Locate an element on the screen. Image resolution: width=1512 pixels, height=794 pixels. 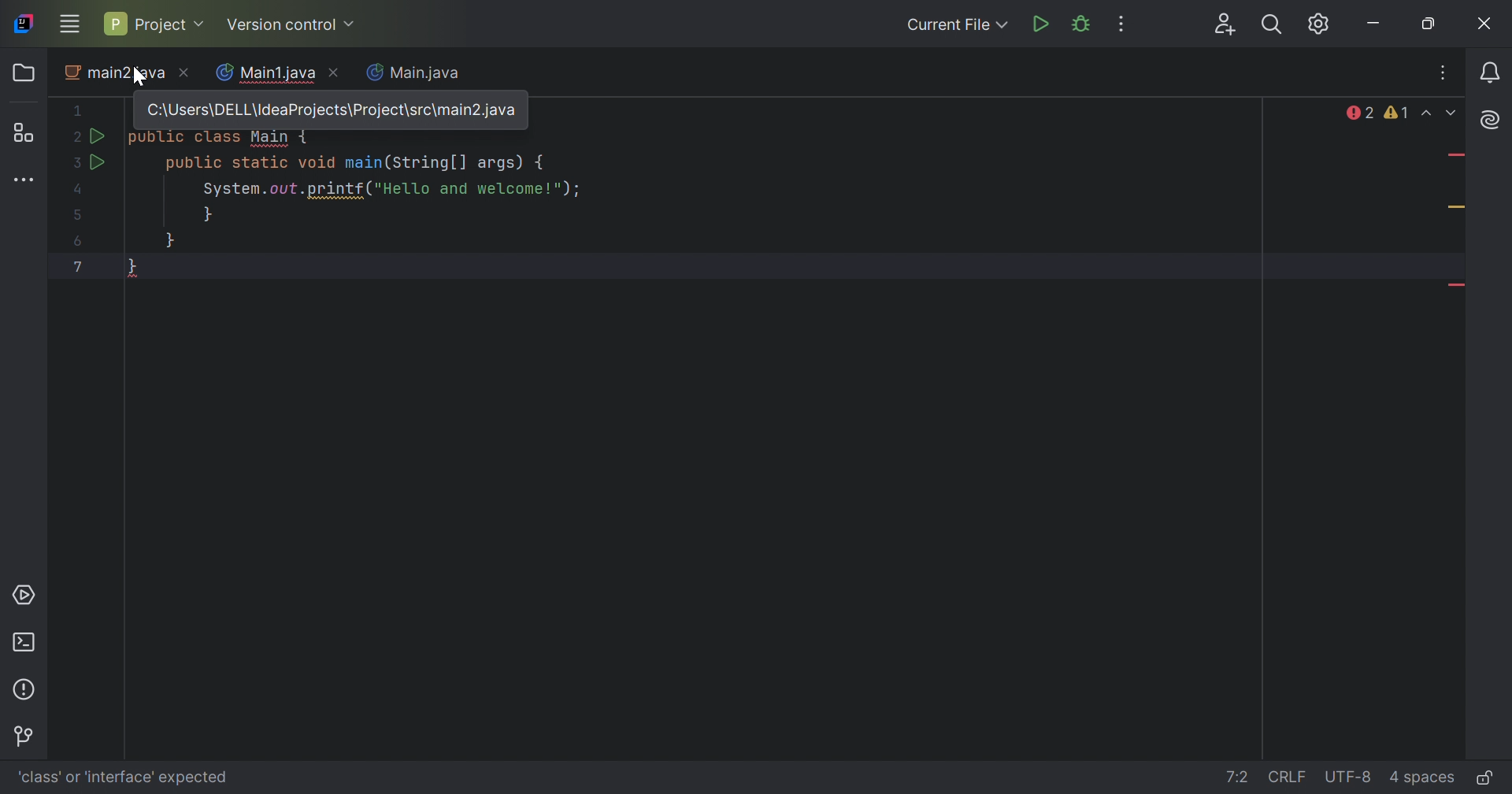
'class' or 'interface' expected is located at coordinates (124, 777).